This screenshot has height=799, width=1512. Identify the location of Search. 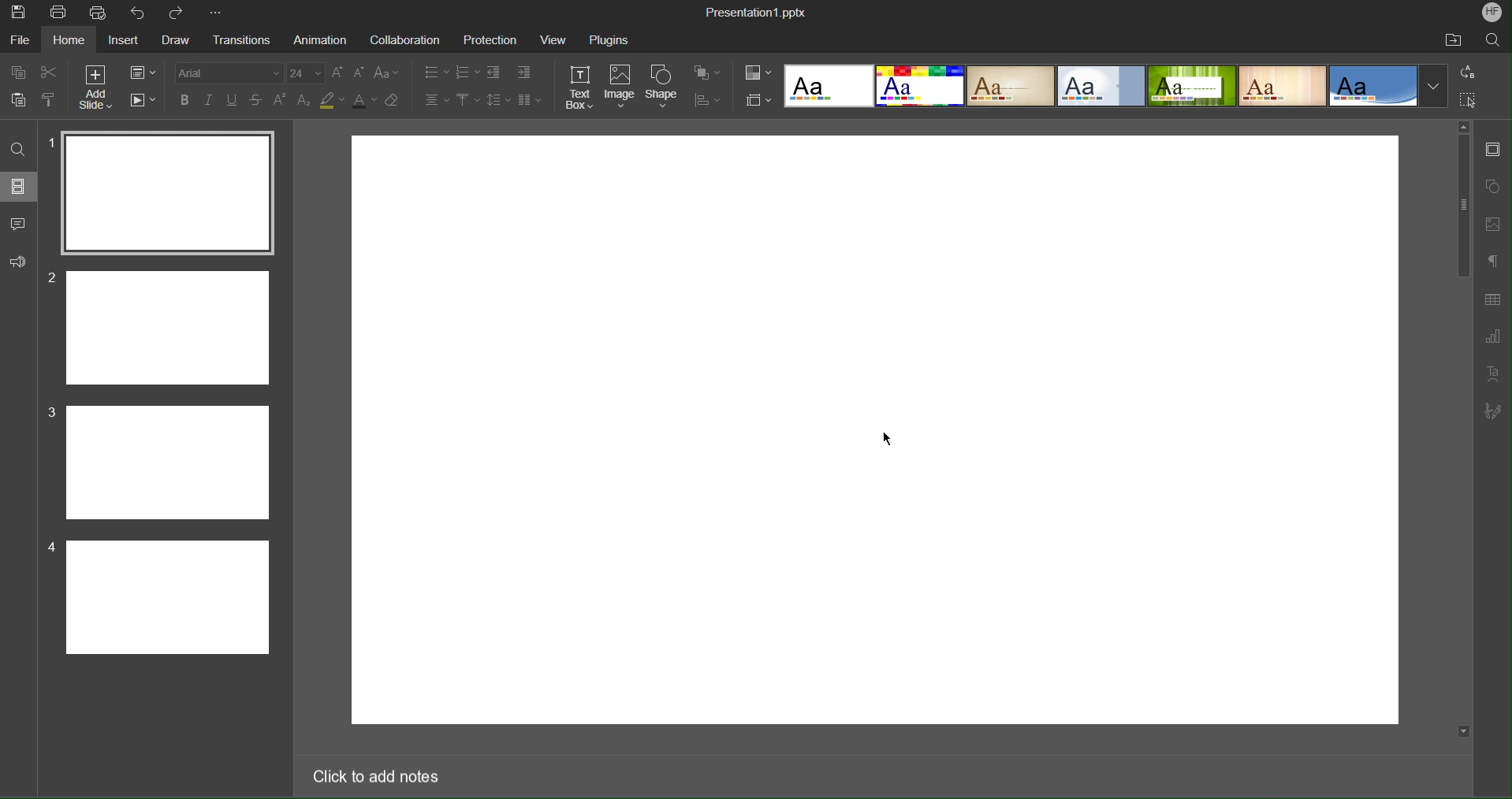
(17, 147).